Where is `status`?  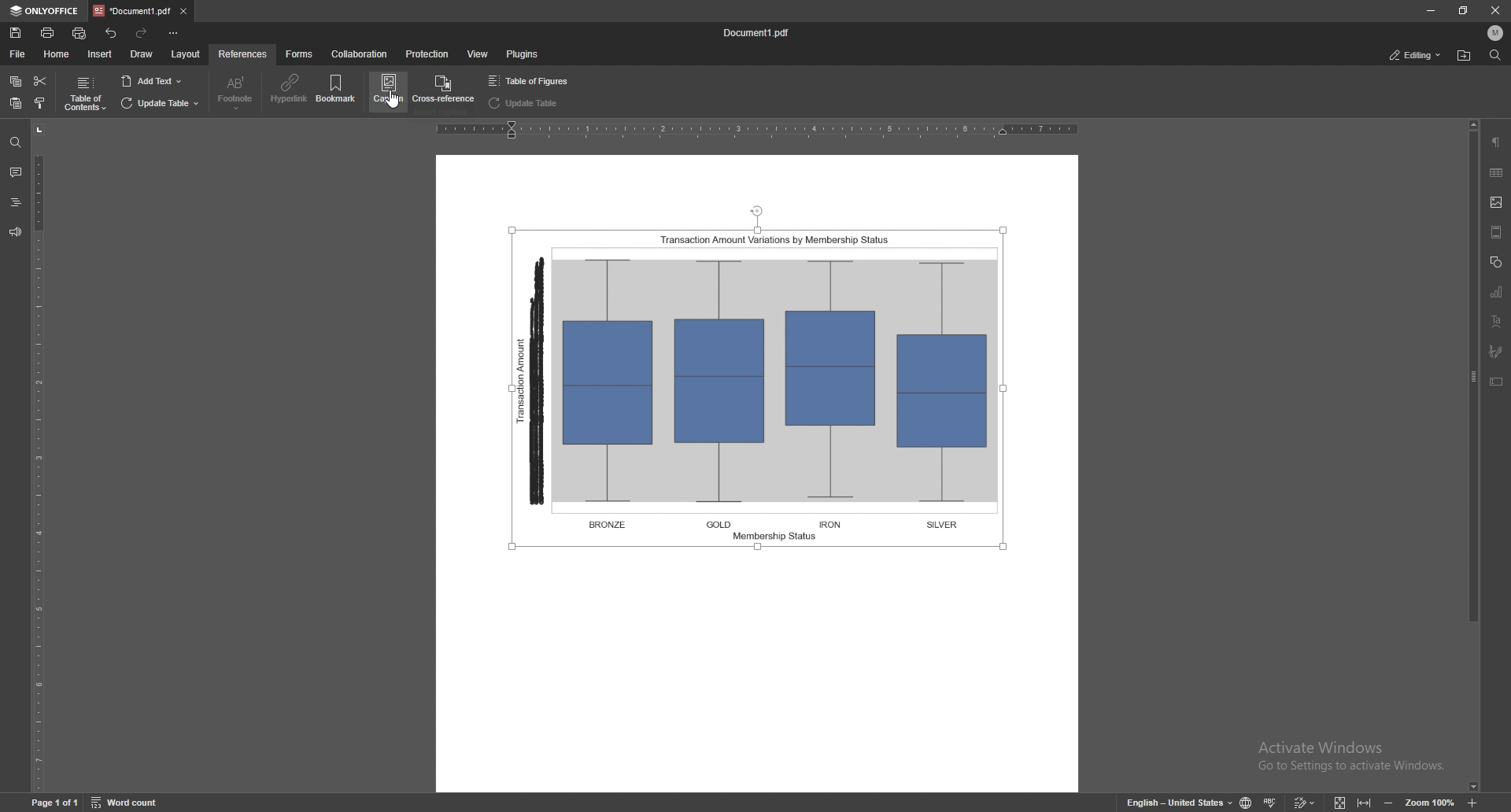 status is located at coordinates (1414, 54).